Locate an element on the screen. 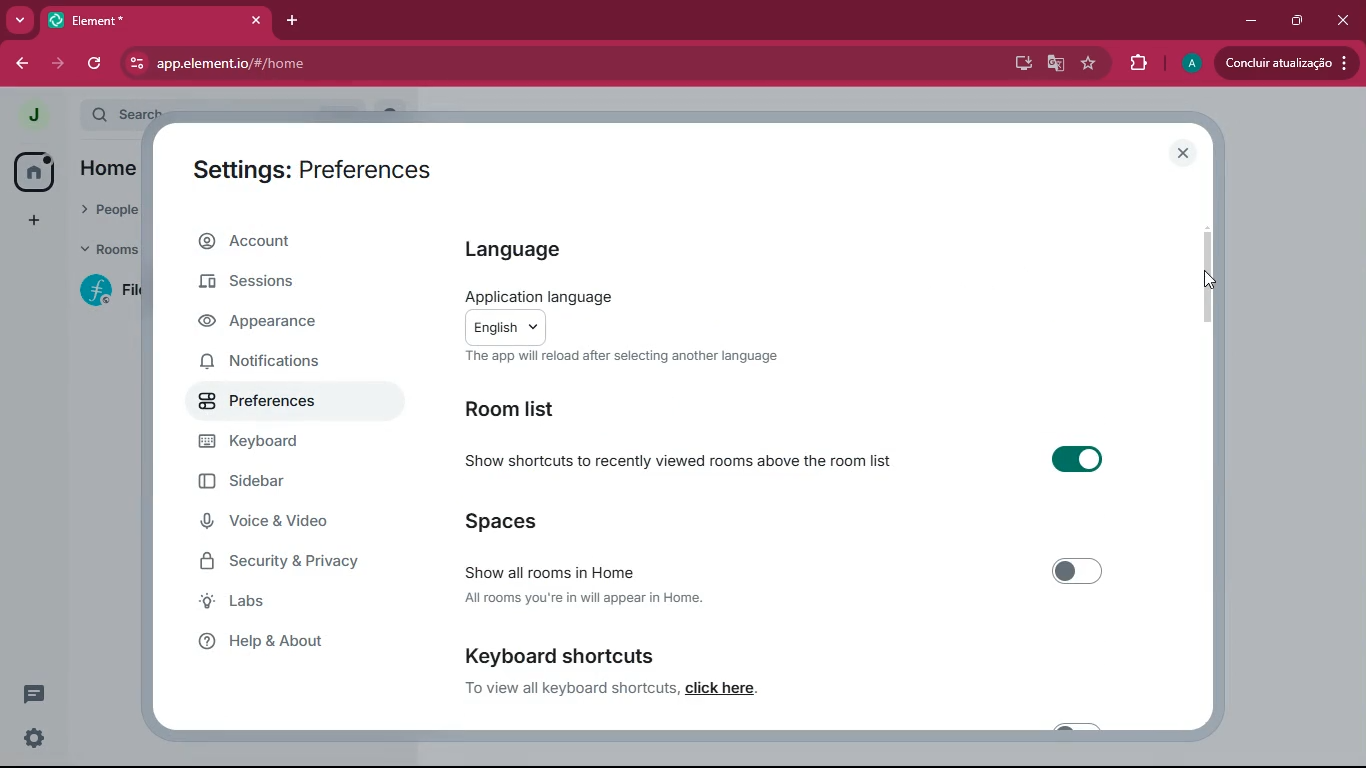 Image resolution: width=1366 pixels, height=768 pixels. add is located at coordinates (34, 222).